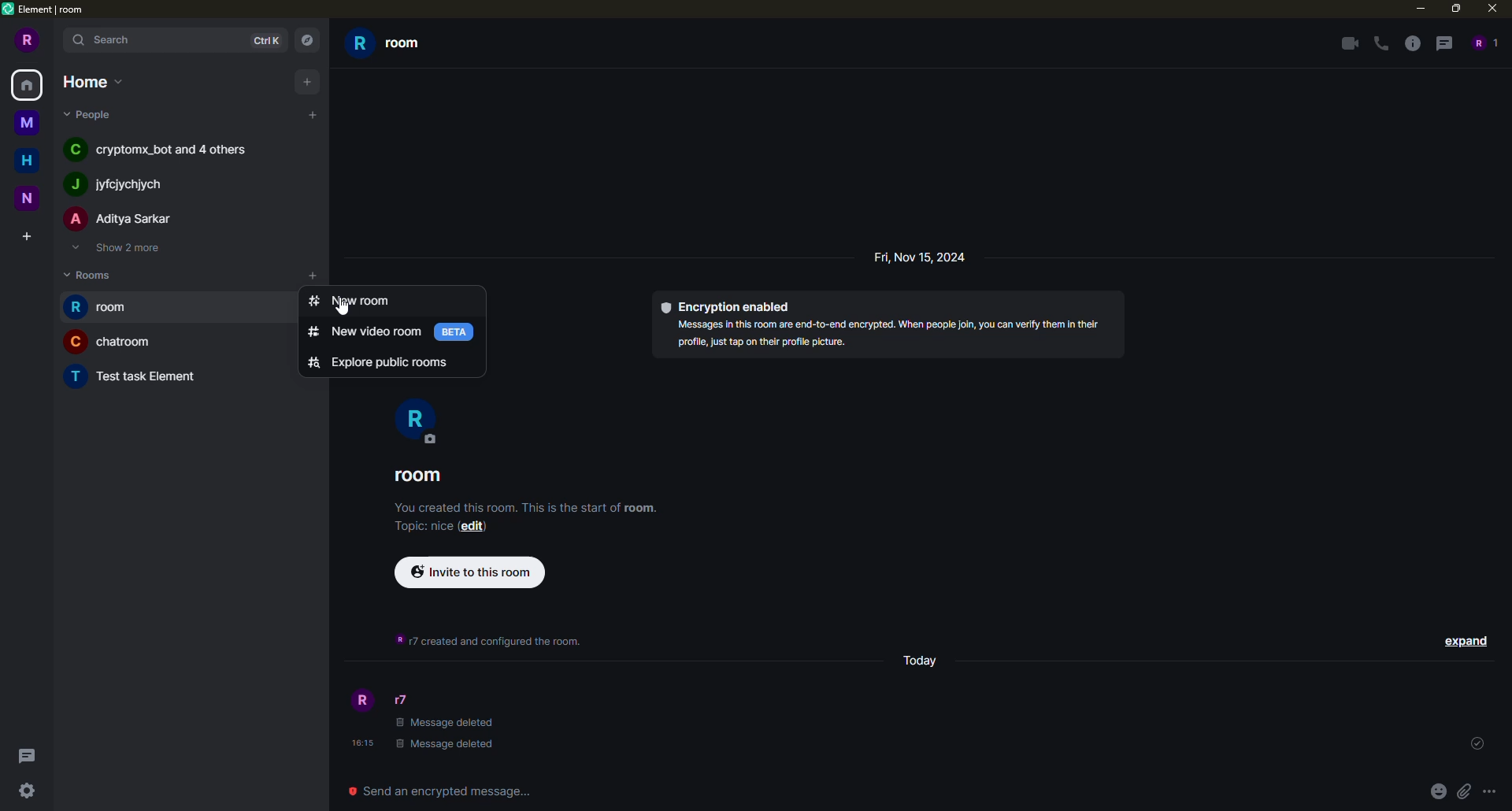 Image resolution: width=1512 pixels, height=811 pixels. I want to click on show 2 more, so click(123, 247).